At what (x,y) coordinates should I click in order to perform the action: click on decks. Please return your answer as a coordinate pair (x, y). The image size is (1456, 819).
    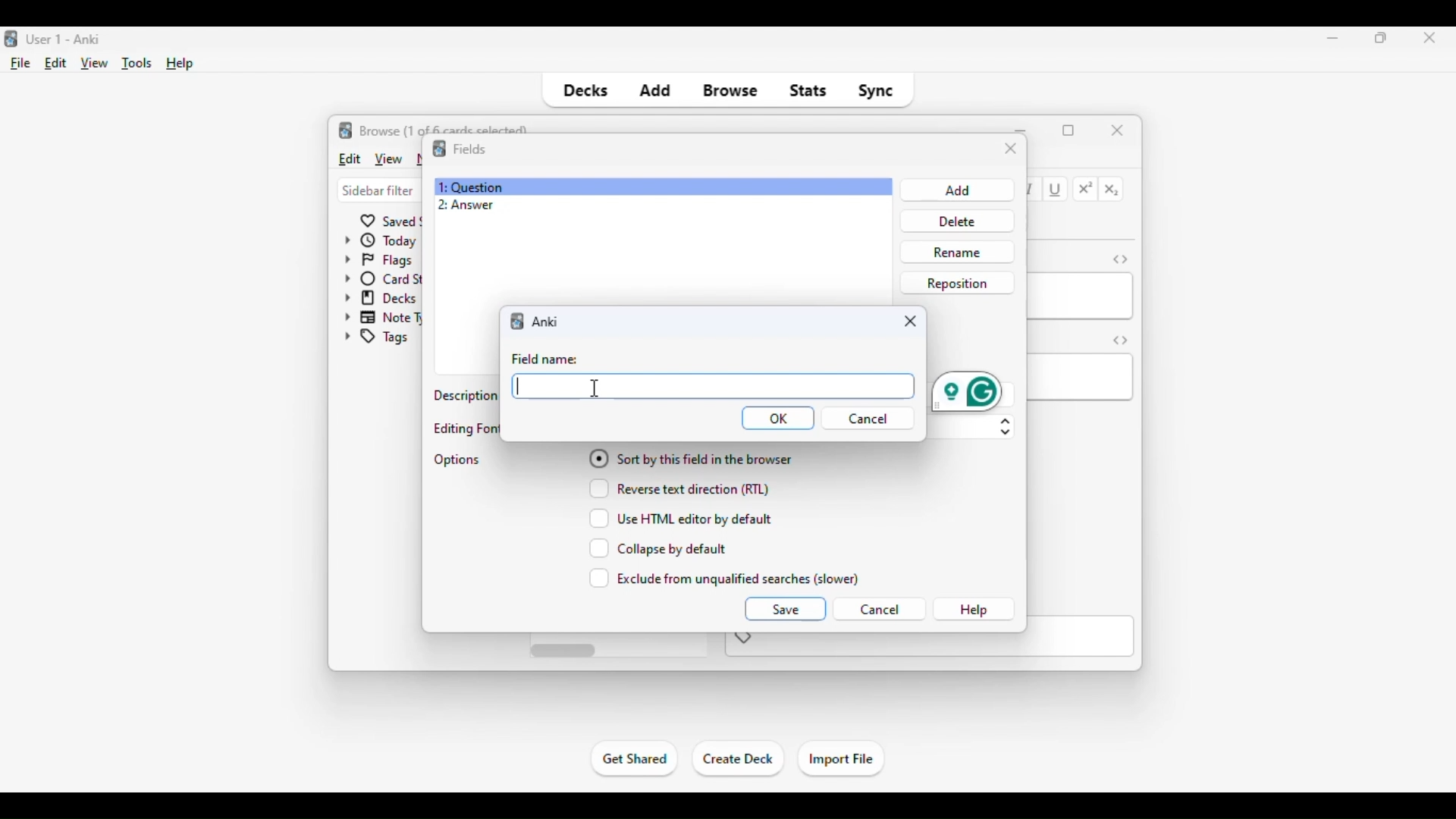
    Looking at the image, I should click on (584, 91).